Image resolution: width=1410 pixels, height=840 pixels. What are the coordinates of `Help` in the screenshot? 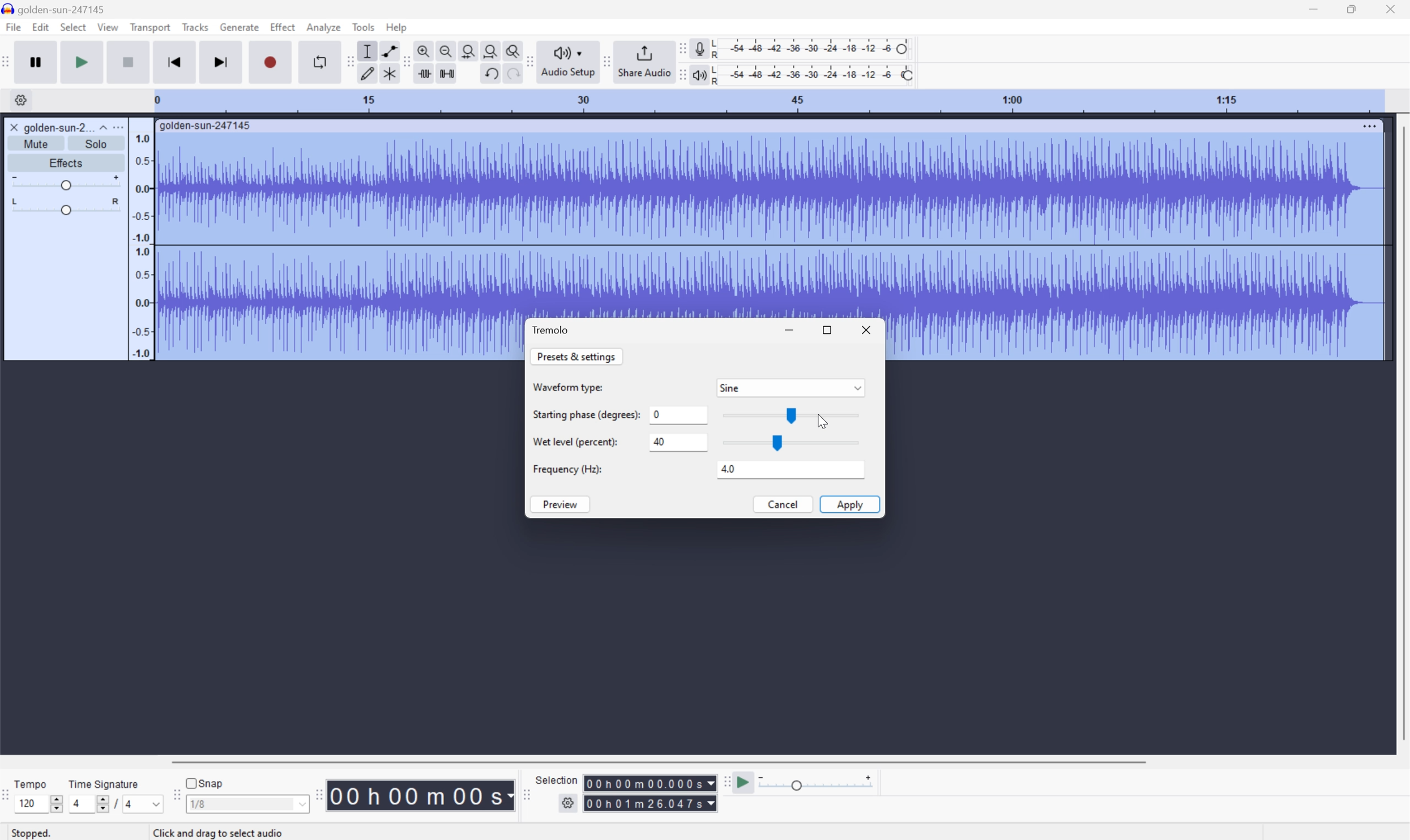 It's located at (397, 26).